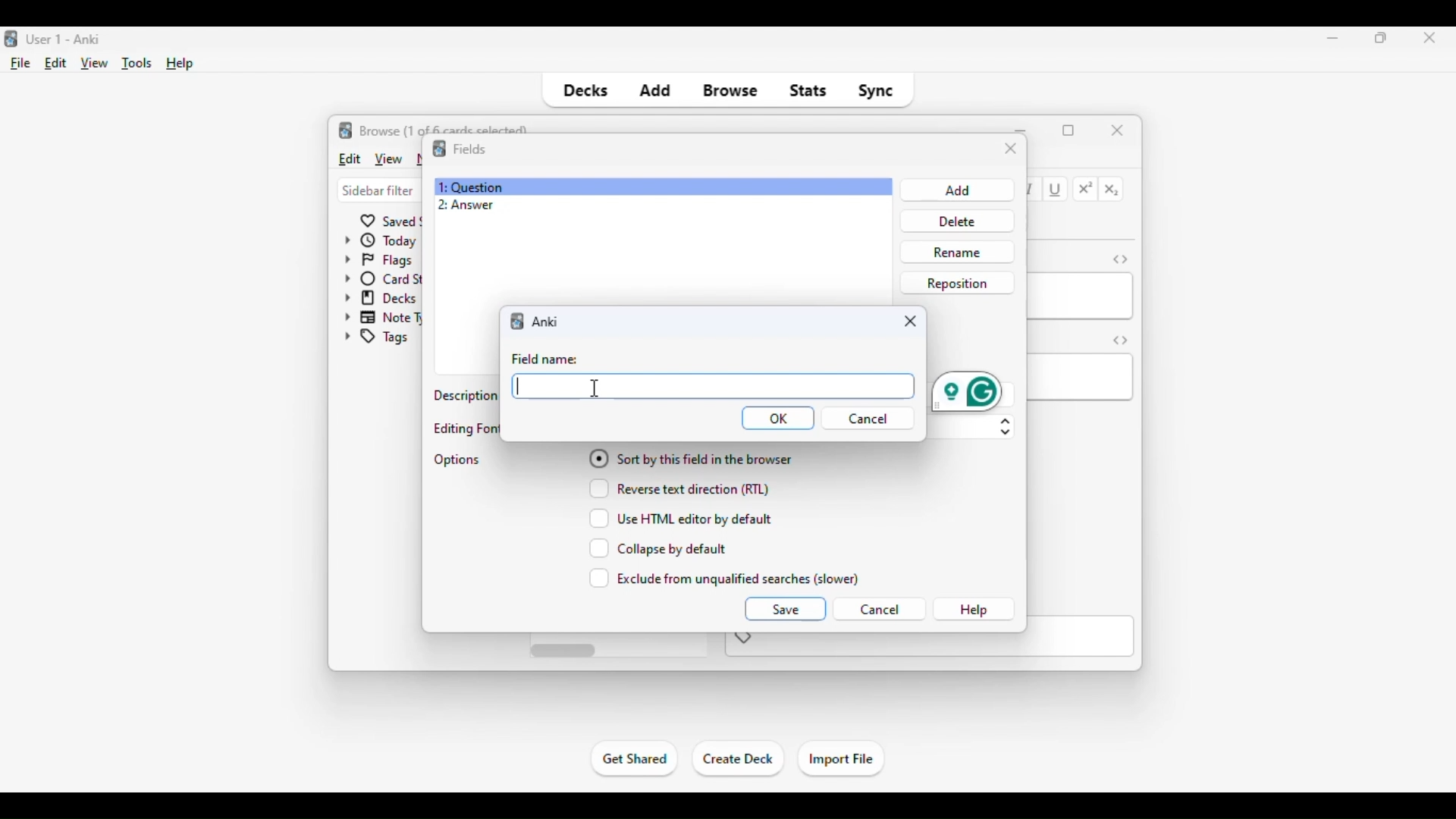  I want to click on view, so click(95, 64).